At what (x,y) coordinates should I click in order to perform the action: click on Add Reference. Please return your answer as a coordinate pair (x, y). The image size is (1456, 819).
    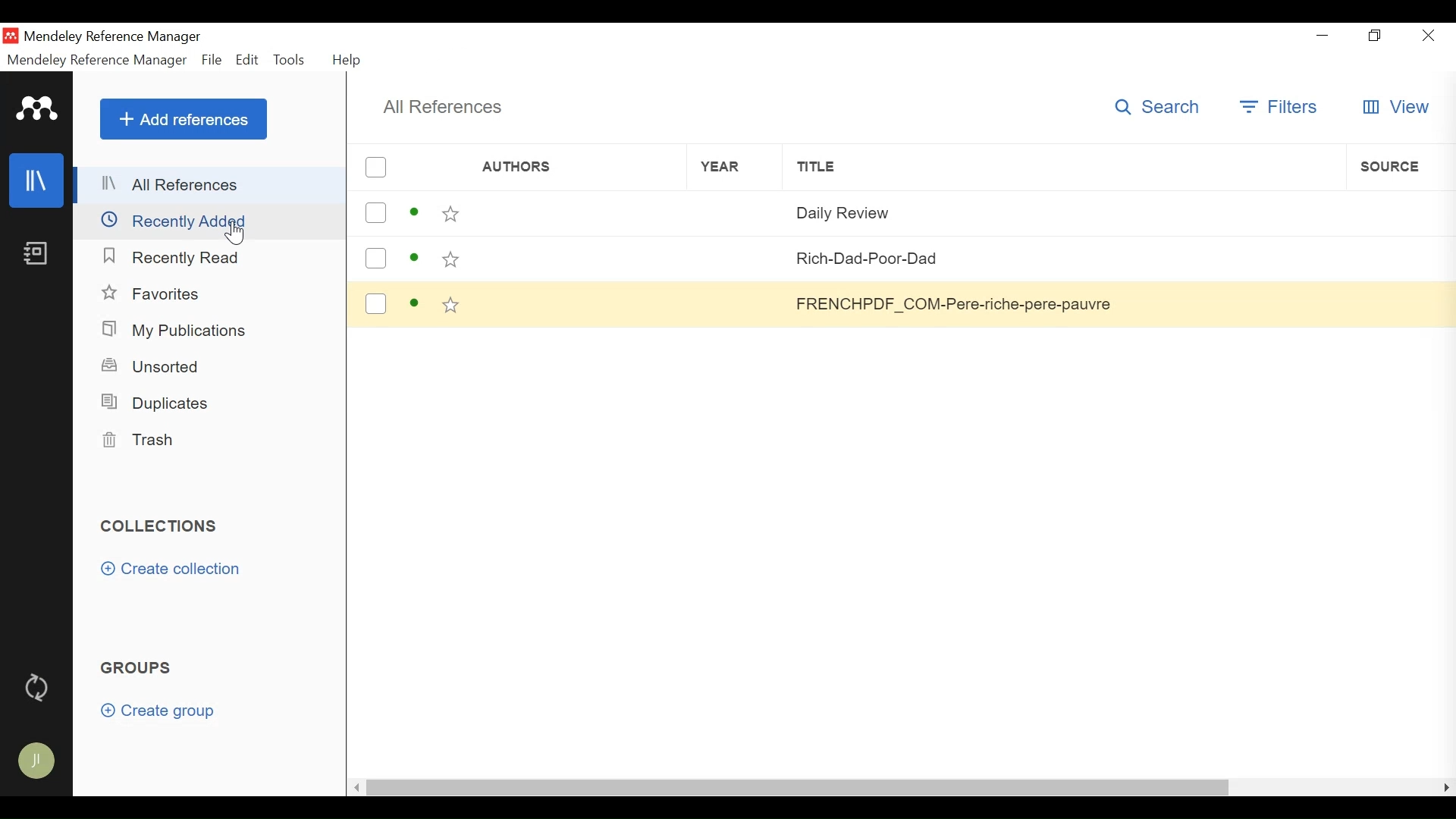
    Looking at the image, I should click on (181, 120).